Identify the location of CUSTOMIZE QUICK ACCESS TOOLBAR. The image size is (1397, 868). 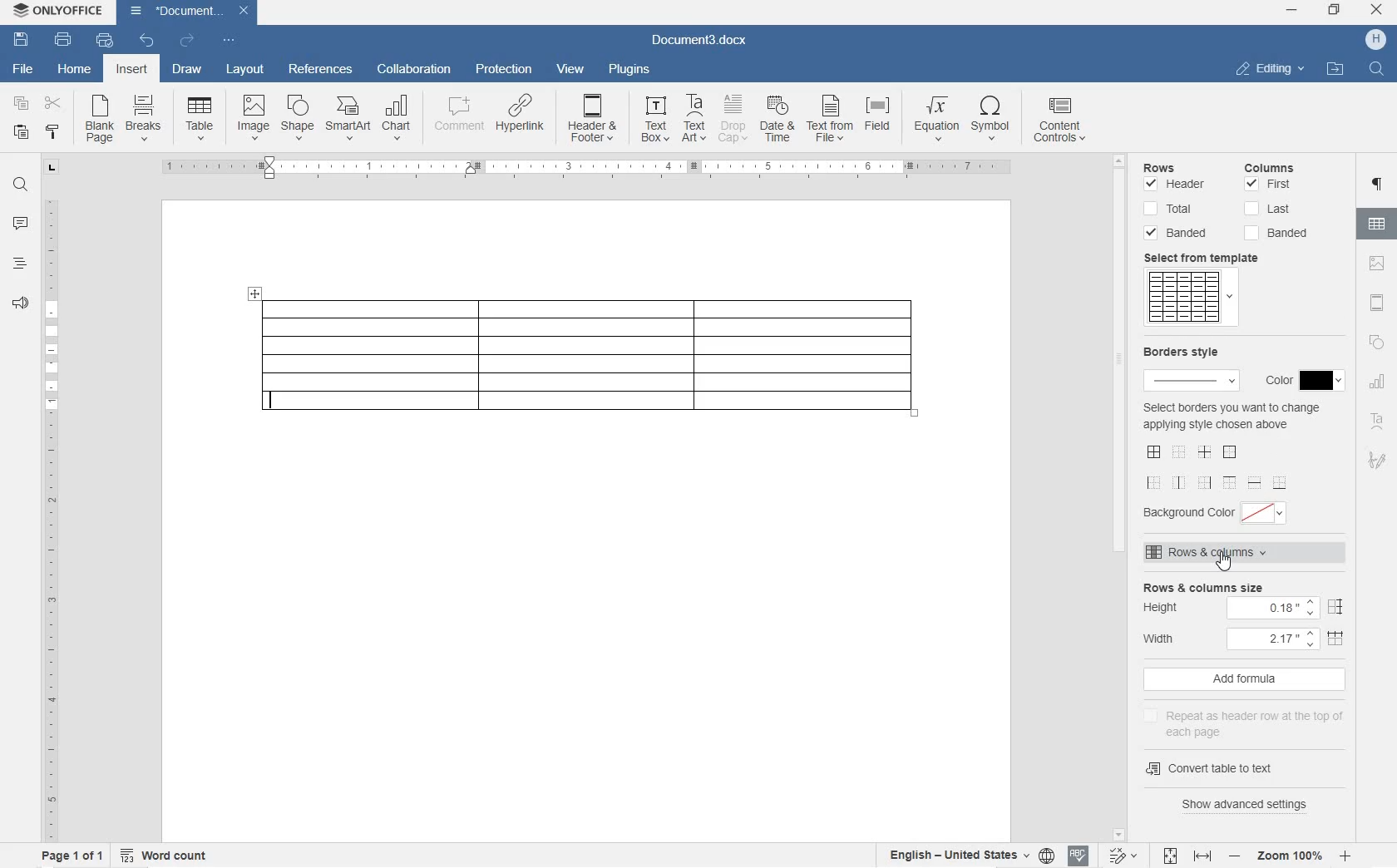
(229, 42).